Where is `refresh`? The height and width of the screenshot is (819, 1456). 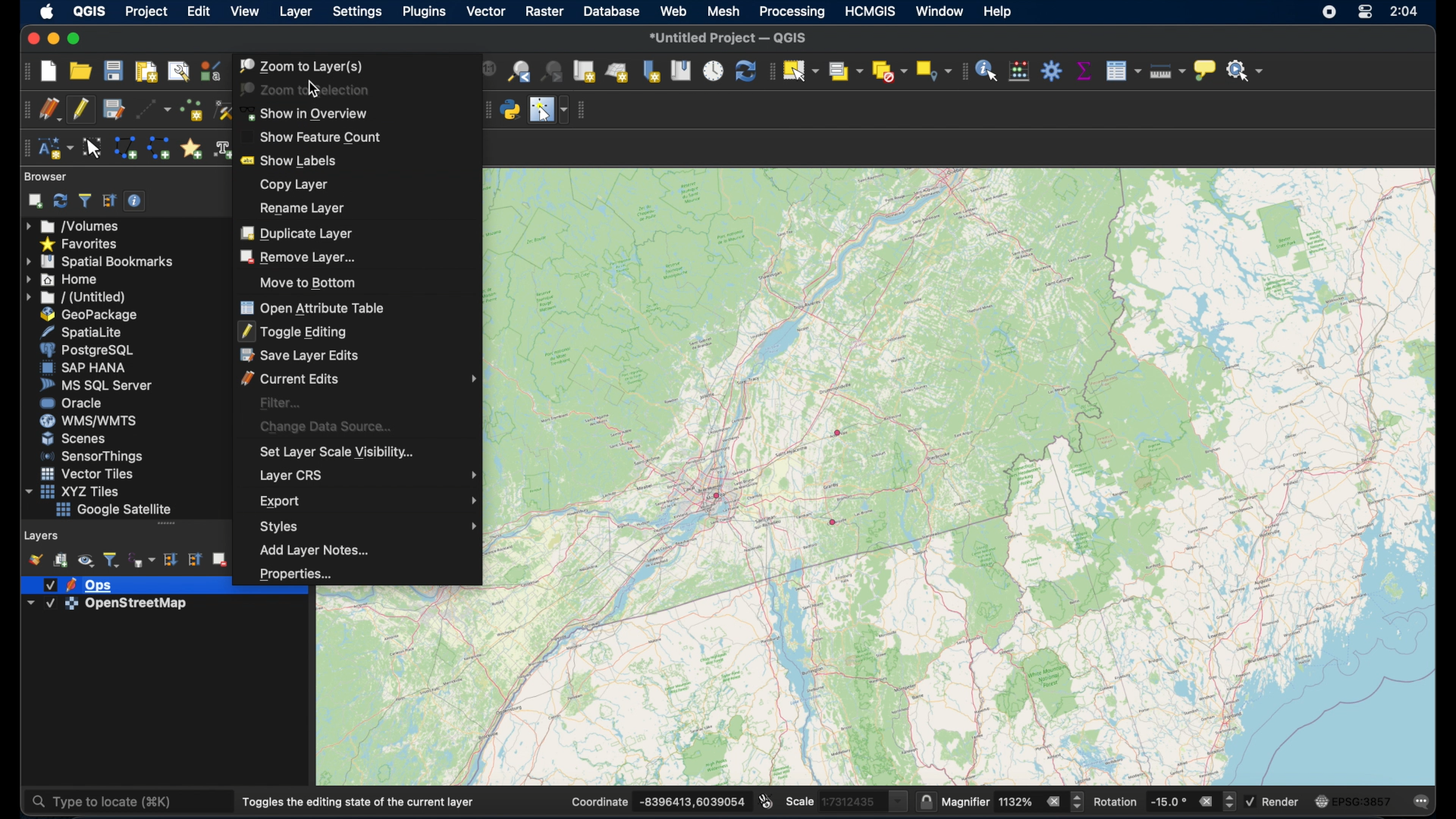 refresh is located at coordinates (62, 199).